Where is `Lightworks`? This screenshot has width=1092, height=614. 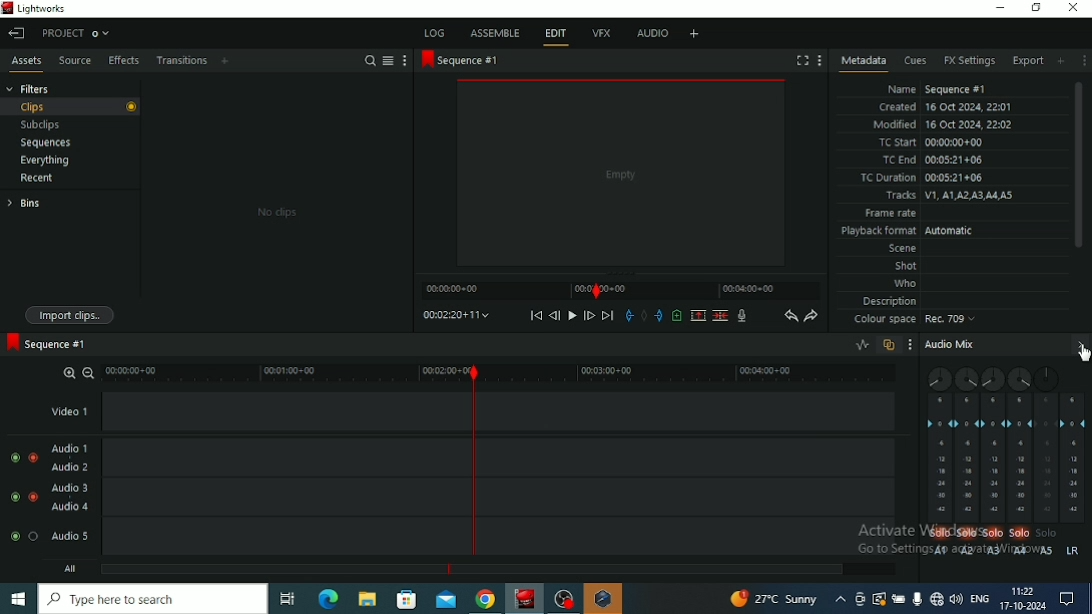 Lightworks is located at coordinates (526, 598).